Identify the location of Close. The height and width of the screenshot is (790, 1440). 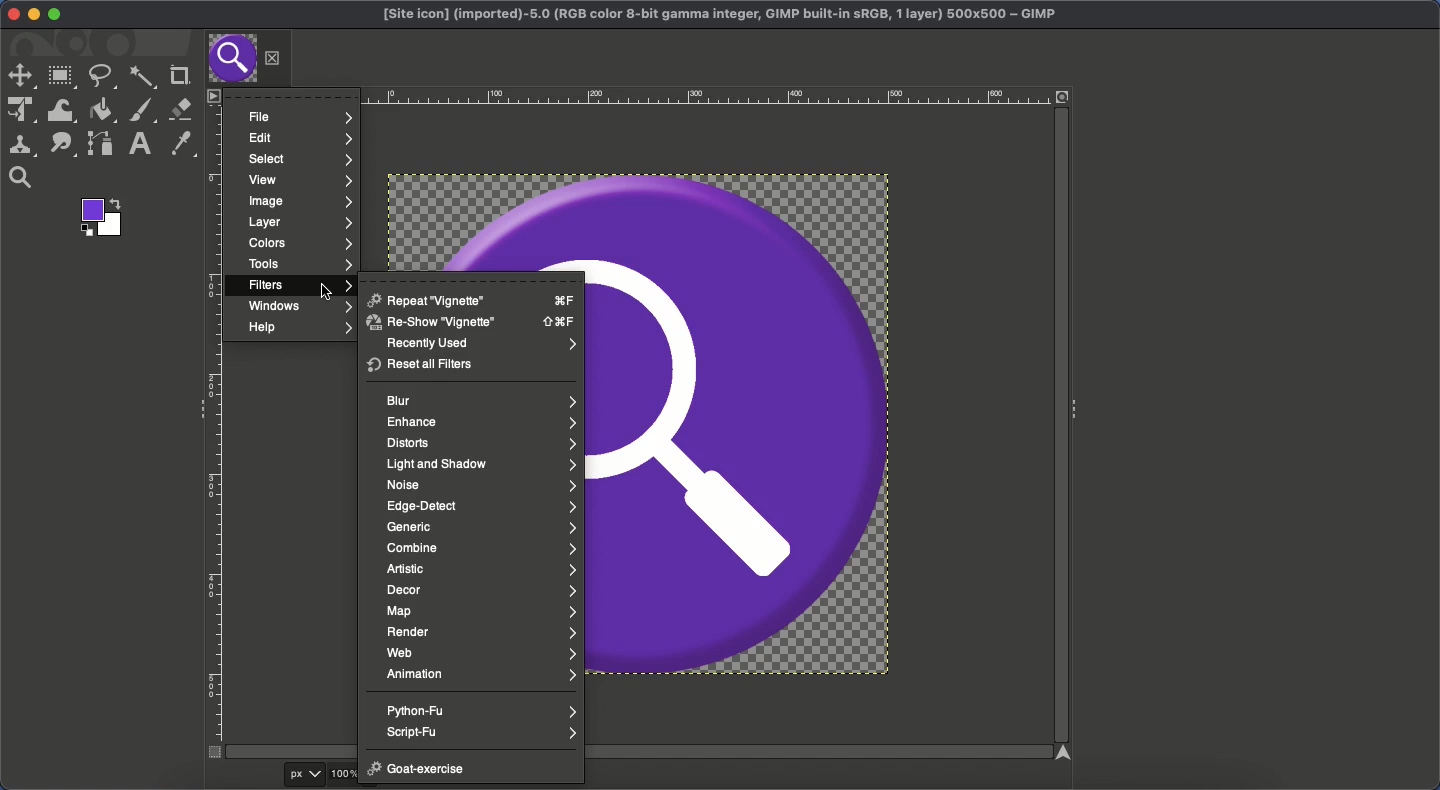
(273, 58).